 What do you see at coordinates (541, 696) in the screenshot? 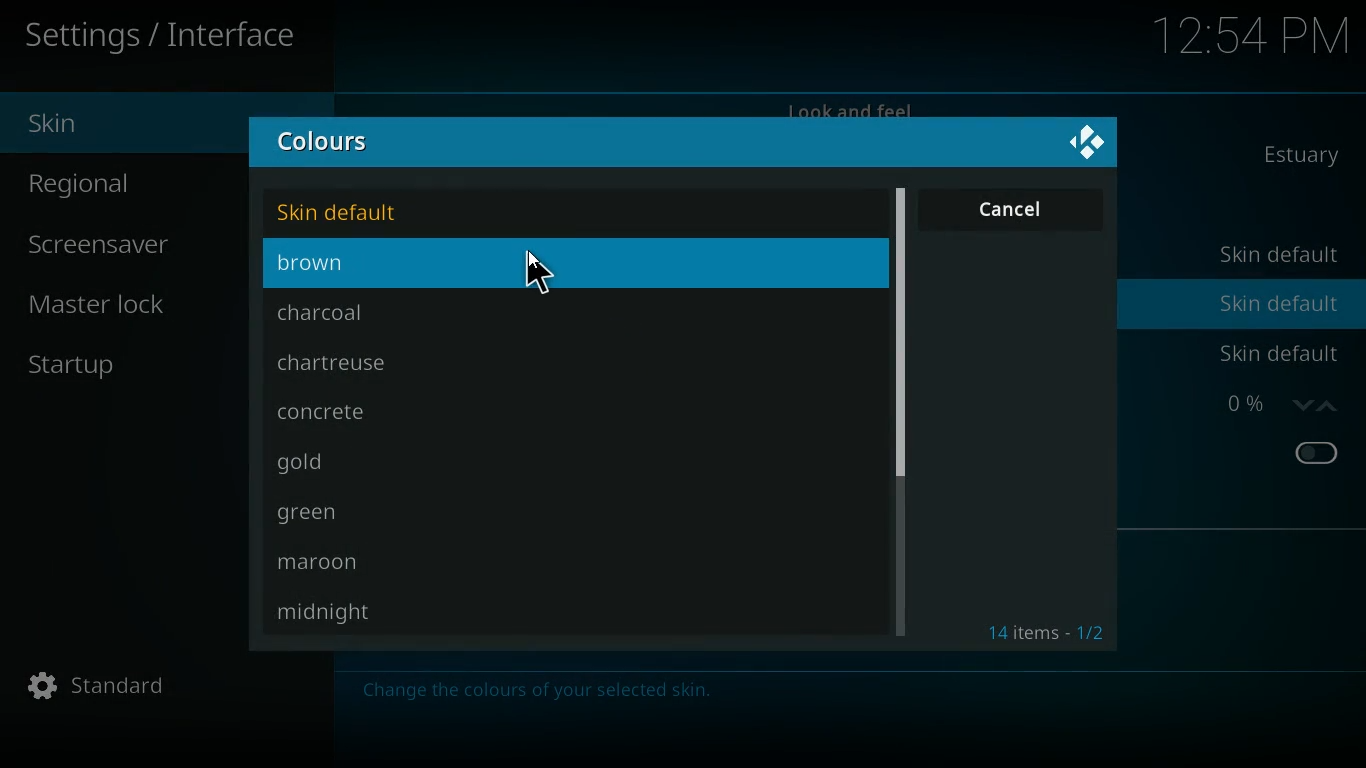
I see `message` at bounding box center [541, 696].